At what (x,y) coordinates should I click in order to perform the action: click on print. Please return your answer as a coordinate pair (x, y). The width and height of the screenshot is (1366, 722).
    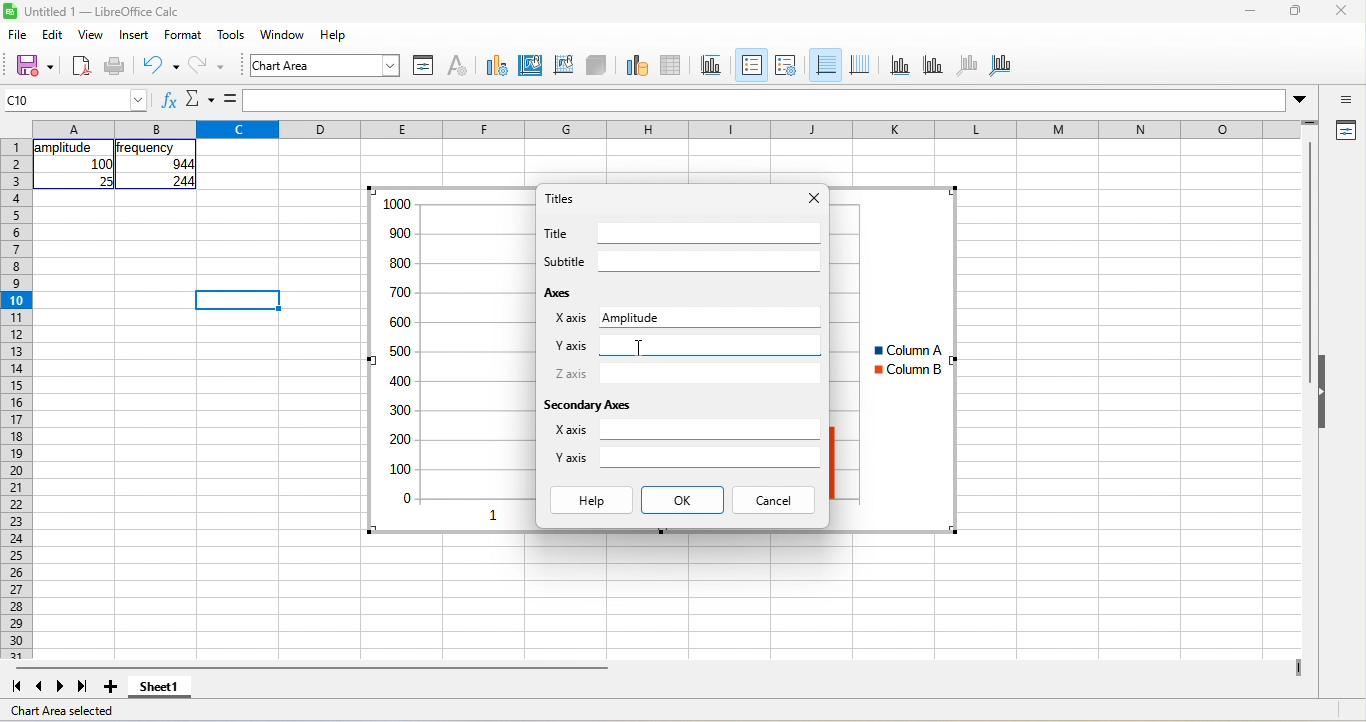
    Looking at the image, I should click on (115, 67).